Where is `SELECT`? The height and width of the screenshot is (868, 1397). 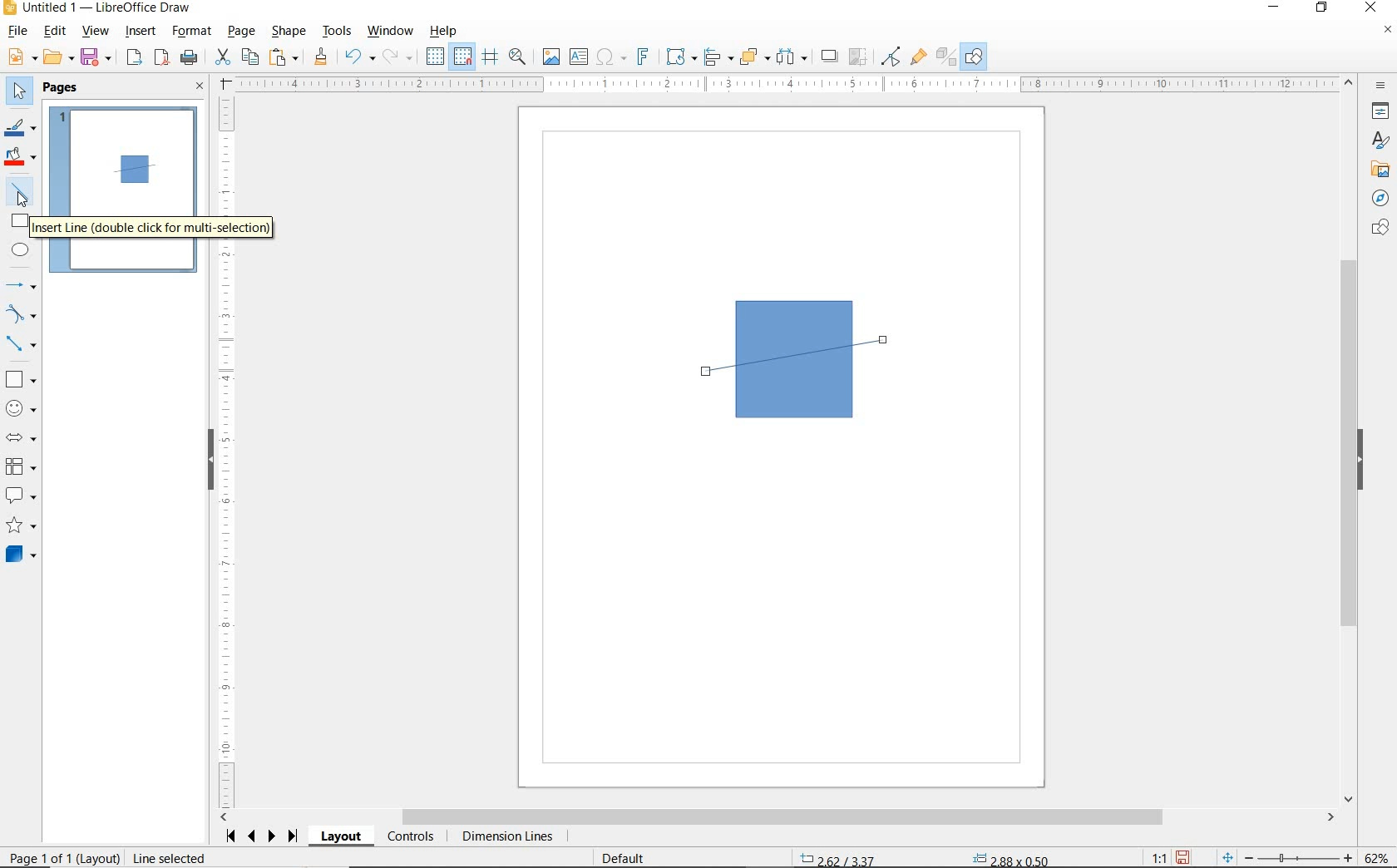 SELECT is located at coordinates (17, 94).